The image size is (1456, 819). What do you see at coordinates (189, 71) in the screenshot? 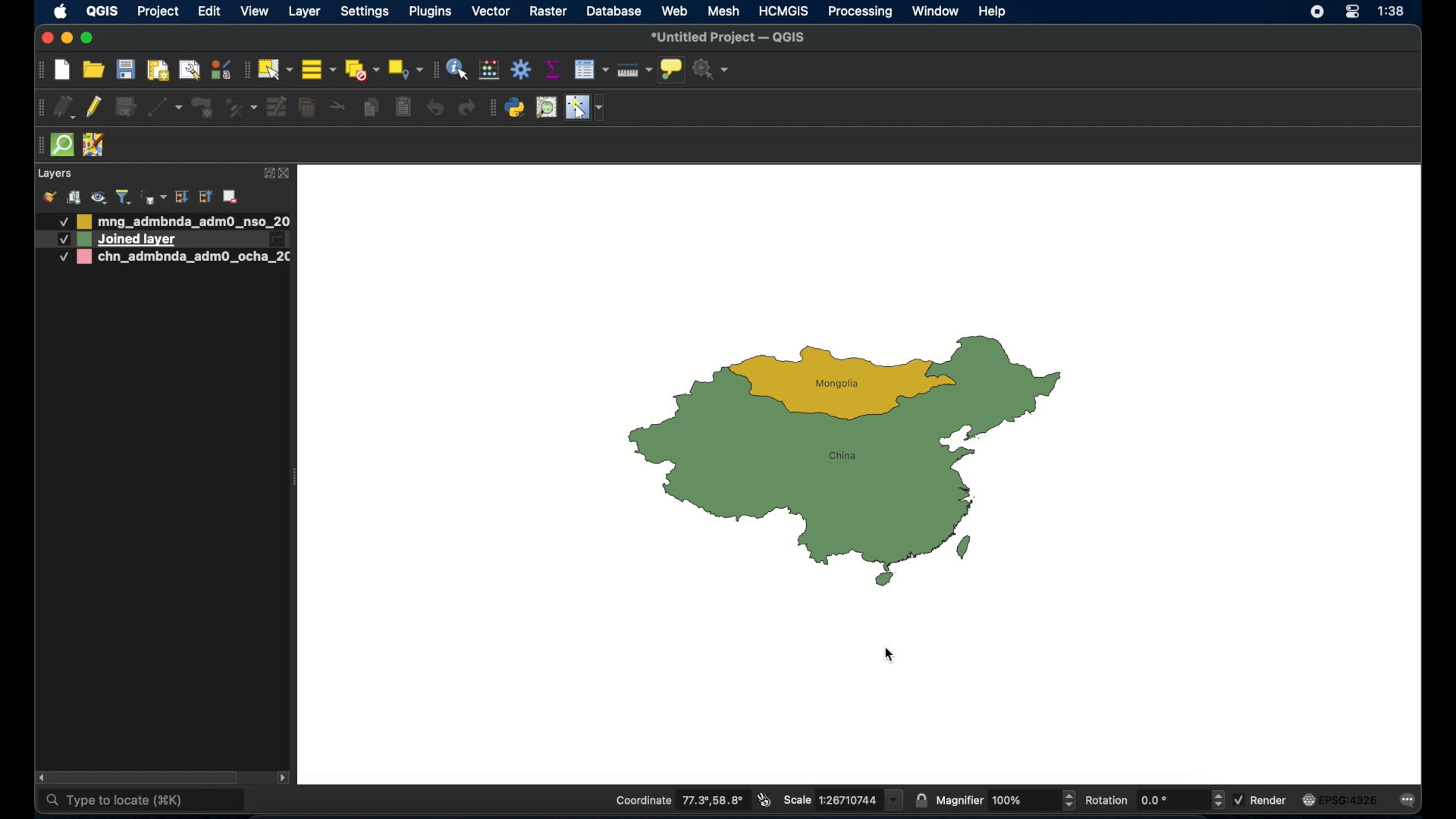
I see `show layout manager` at bounding box center [189, 71].